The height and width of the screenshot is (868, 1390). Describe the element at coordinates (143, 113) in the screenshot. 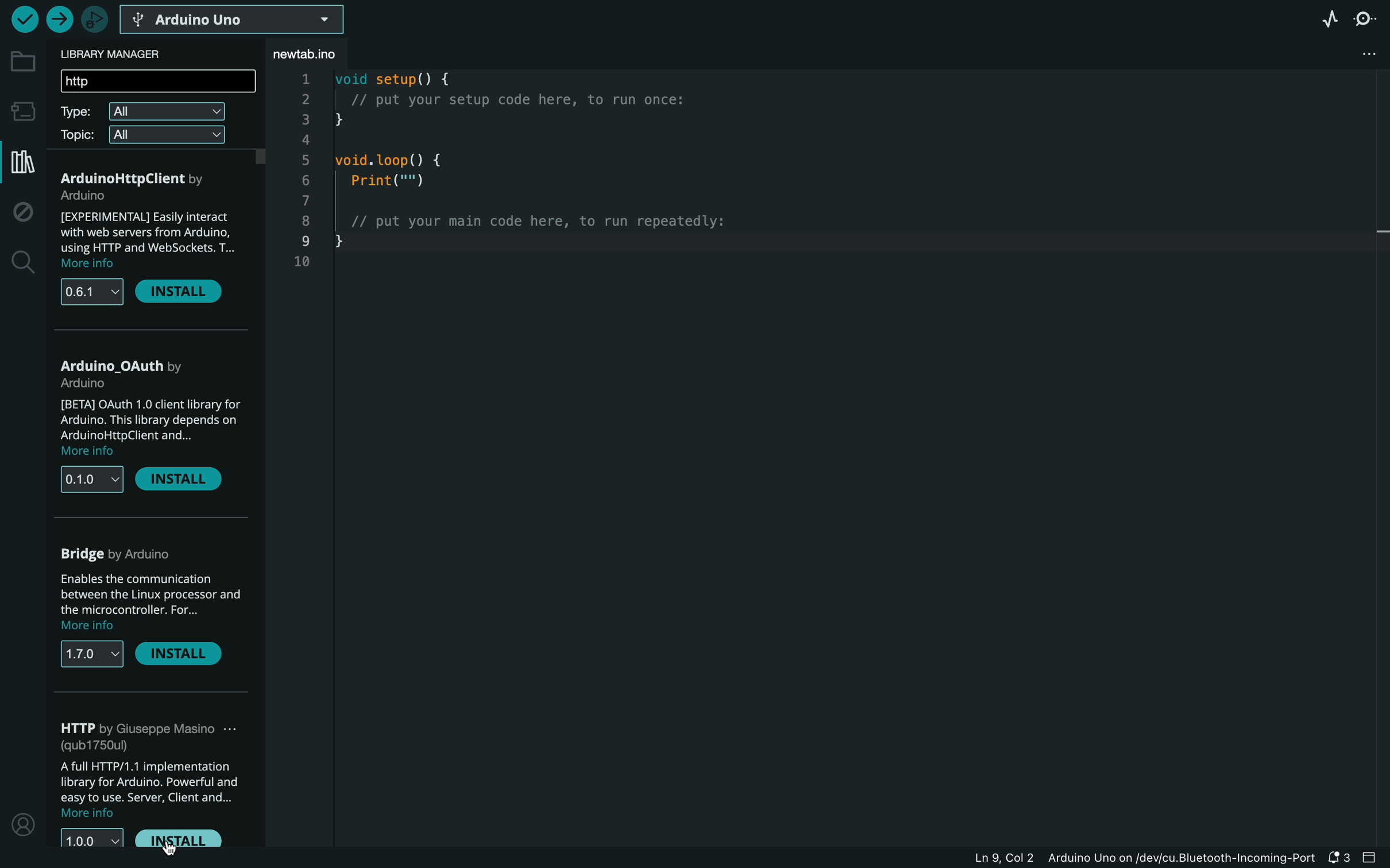

I see `type filter` at that location.